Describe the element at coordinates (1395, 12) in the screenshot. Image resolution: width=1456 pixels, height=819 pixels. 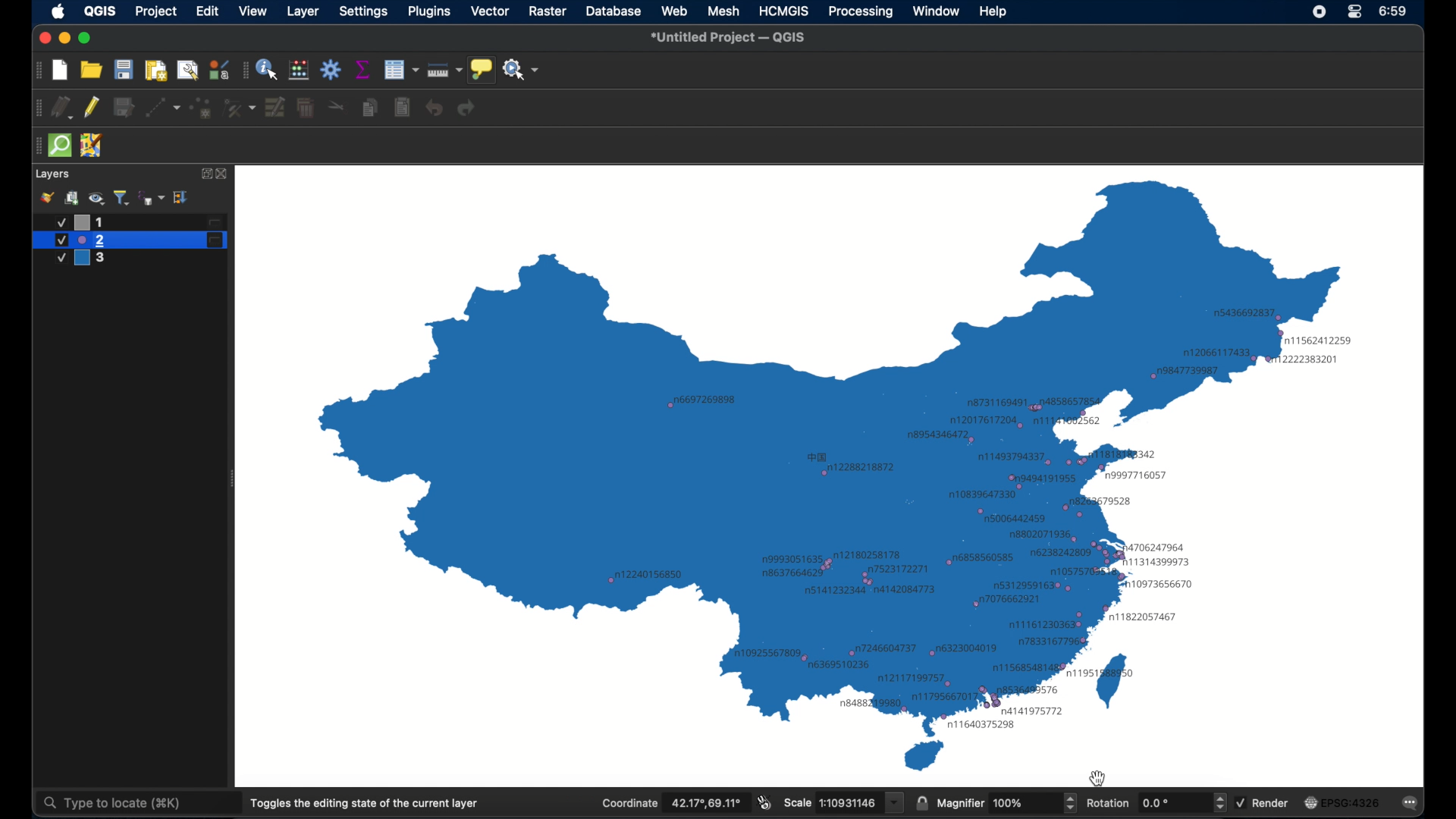
I see `time` at that location.